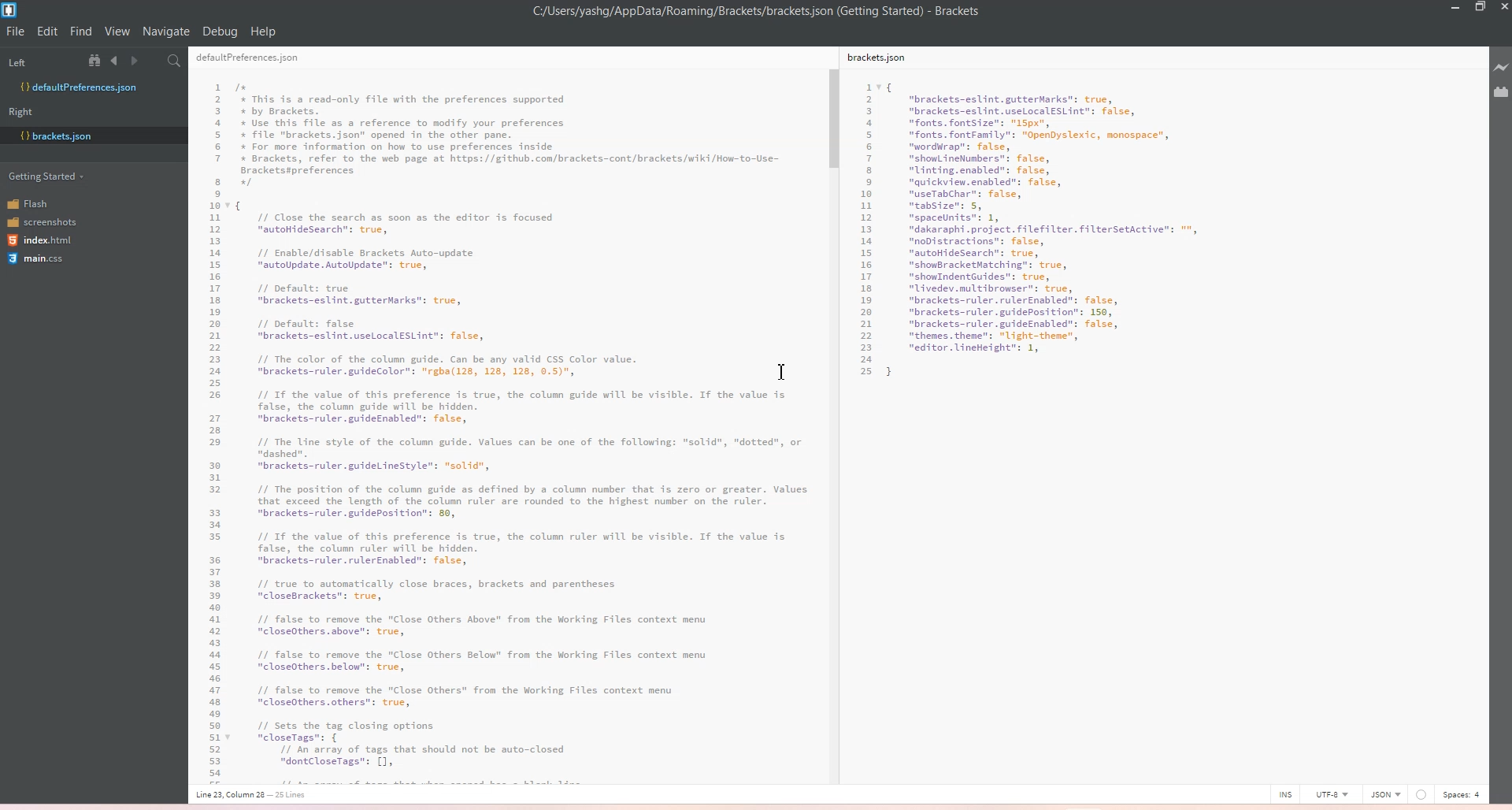 This screenshot has width=1512, height=810. What do you see at coordinates (39, 60) in the screenshot?
I see `Left` at bounding box center [39, 60].